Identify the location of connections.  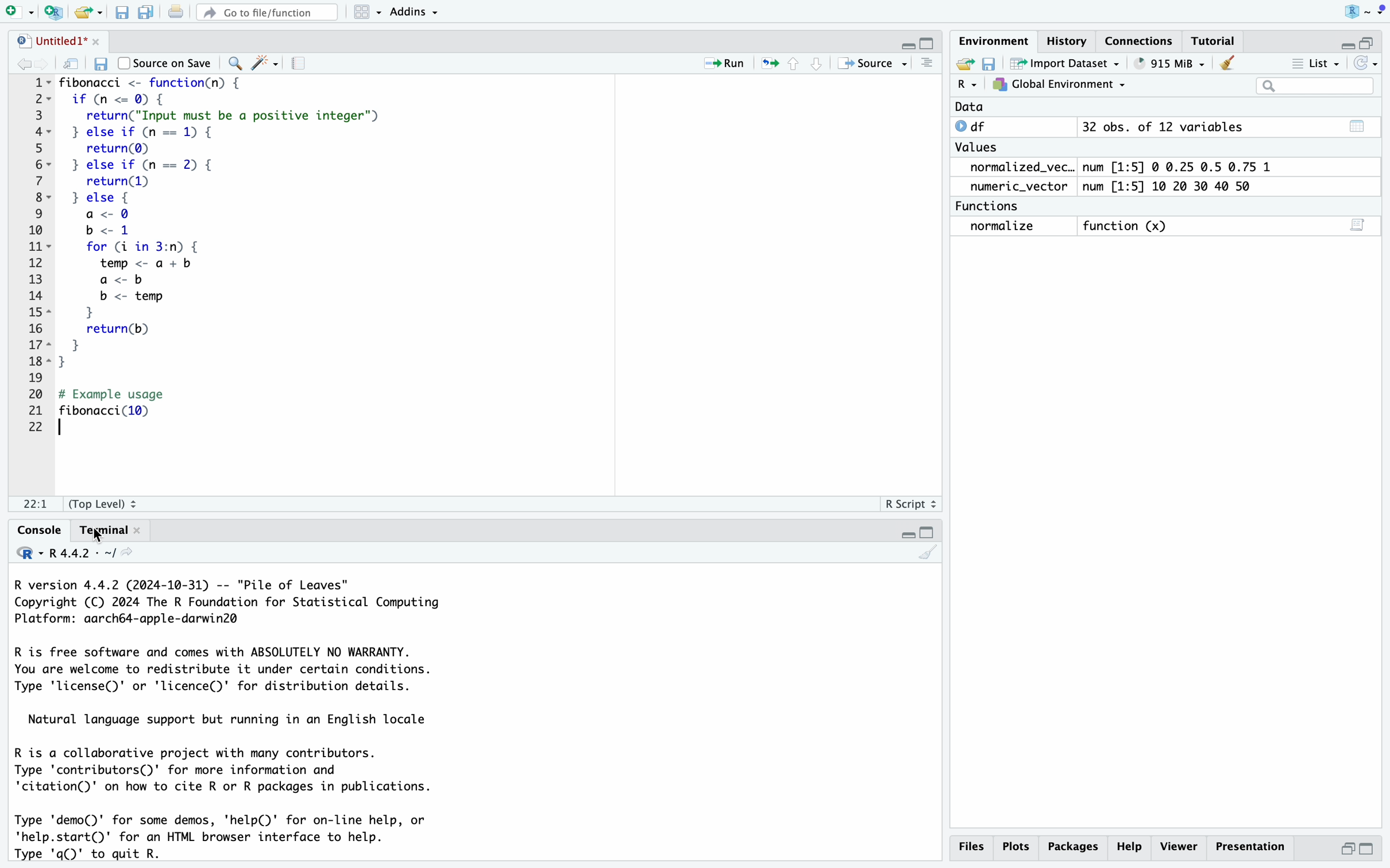
(1140, 37).